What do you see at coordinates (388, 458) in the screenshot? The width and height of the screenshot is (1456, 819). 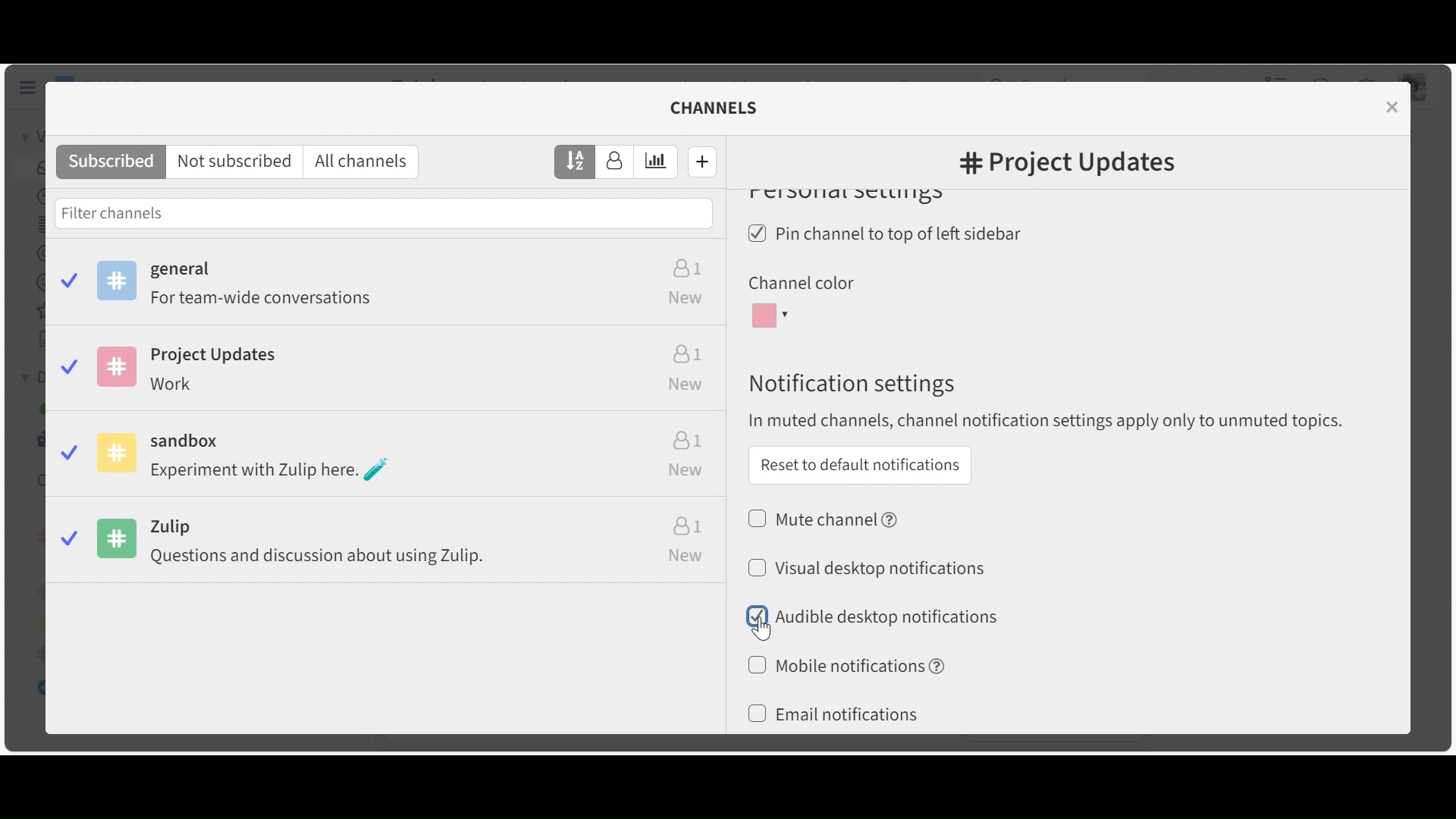 I see `Sandbox` at bounding box center [388, 458].